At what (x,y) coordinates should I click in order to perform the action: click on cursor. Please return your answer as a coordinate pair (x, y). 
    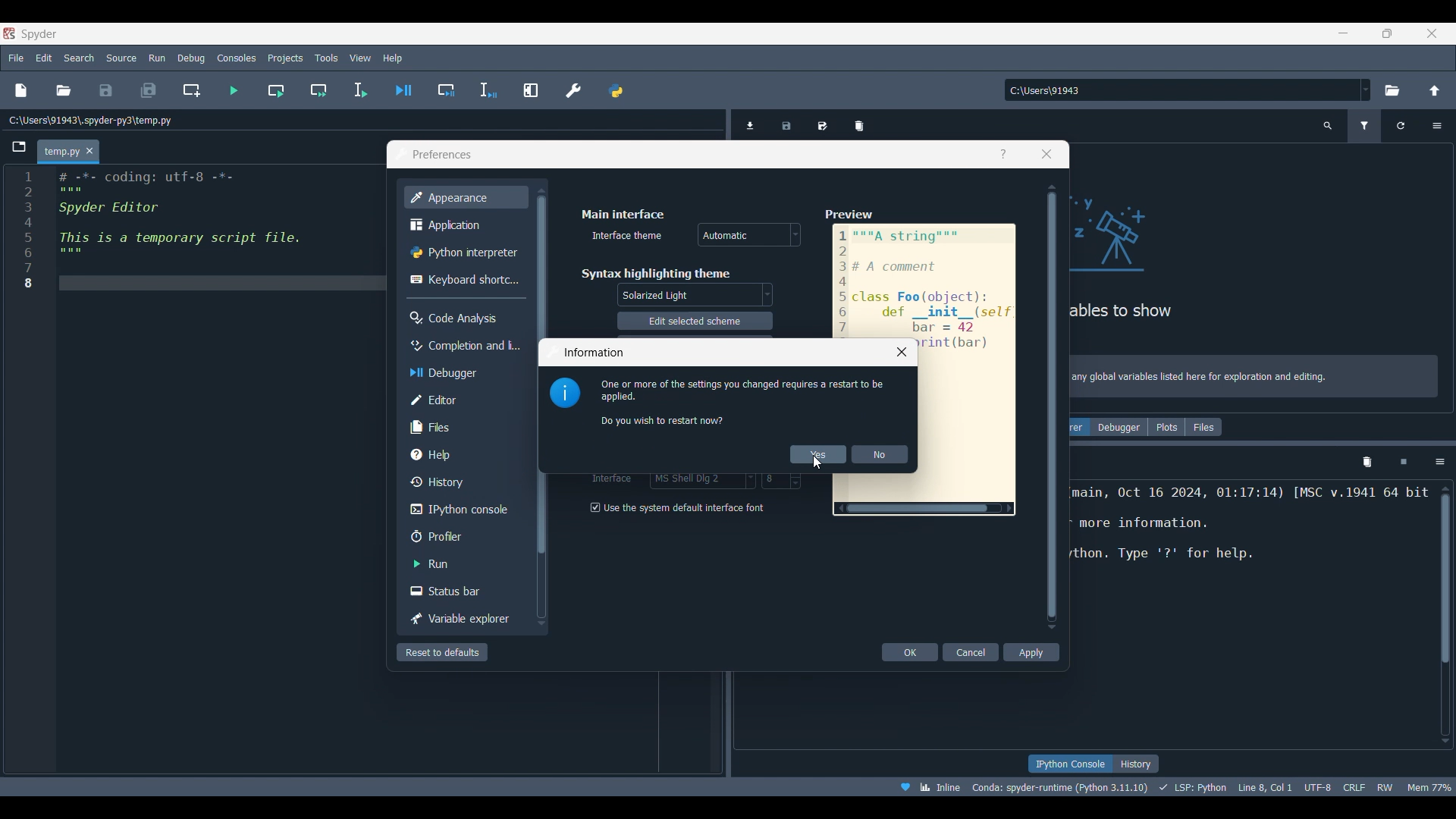
    Looking at the image, I should click on (824, 463).